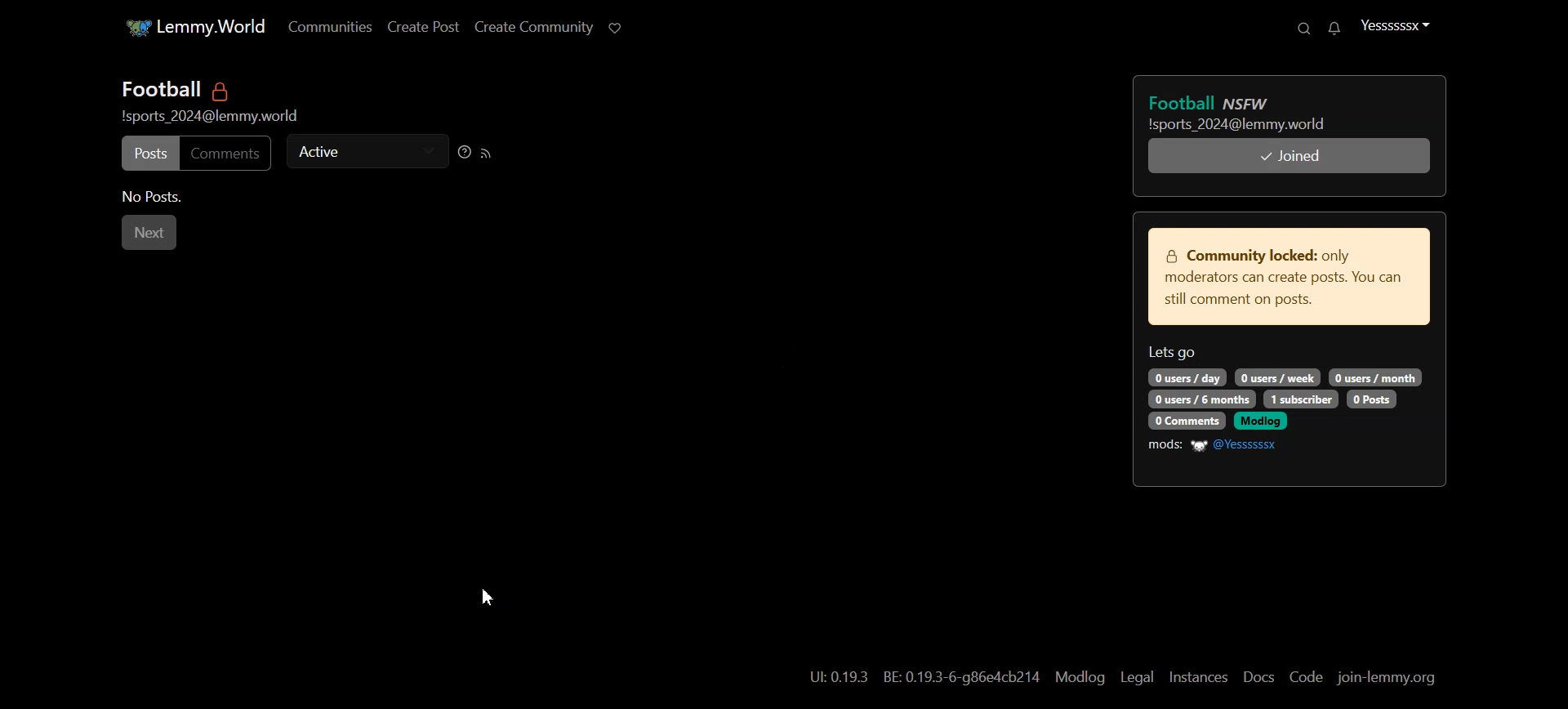 Image resolution: width=1568 pixels, height=709 pixels. Describe the element at coordinates (1263, 421) in the screenshot. I see `text"` at that location.